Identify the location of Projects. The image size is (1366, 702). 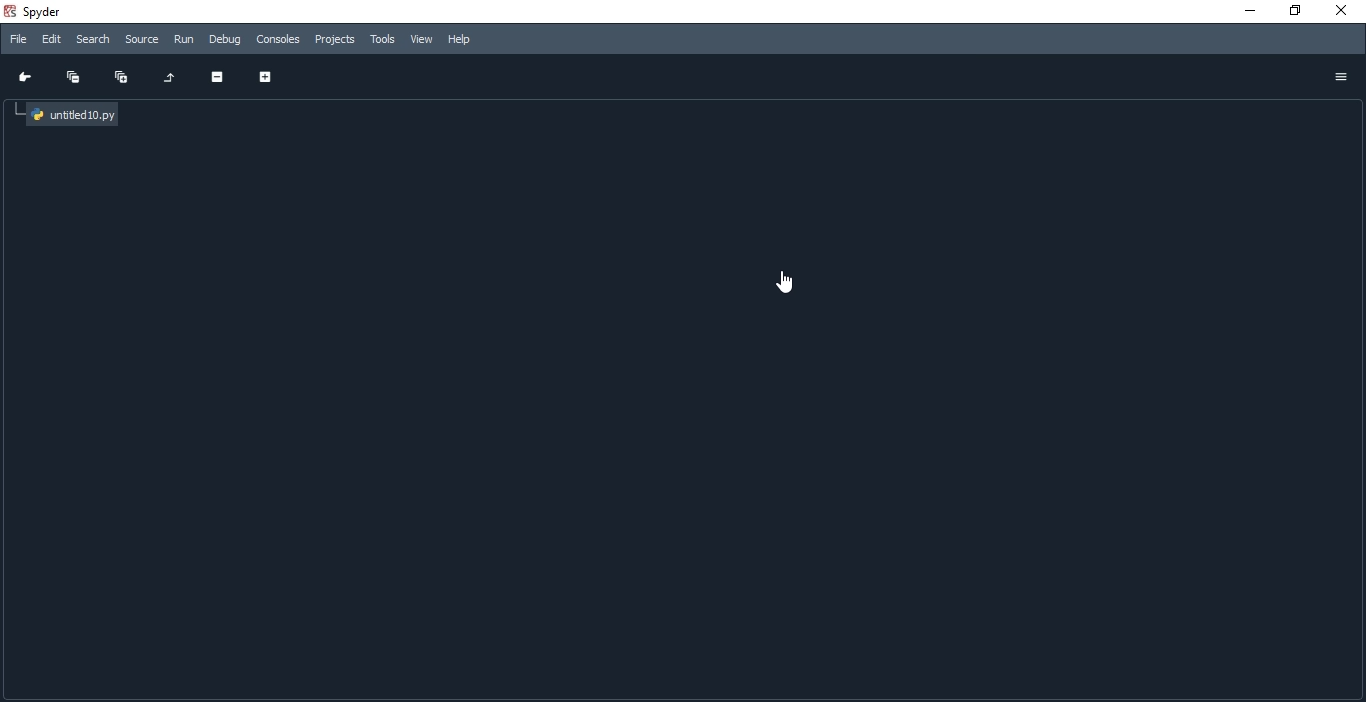
(333, 39).